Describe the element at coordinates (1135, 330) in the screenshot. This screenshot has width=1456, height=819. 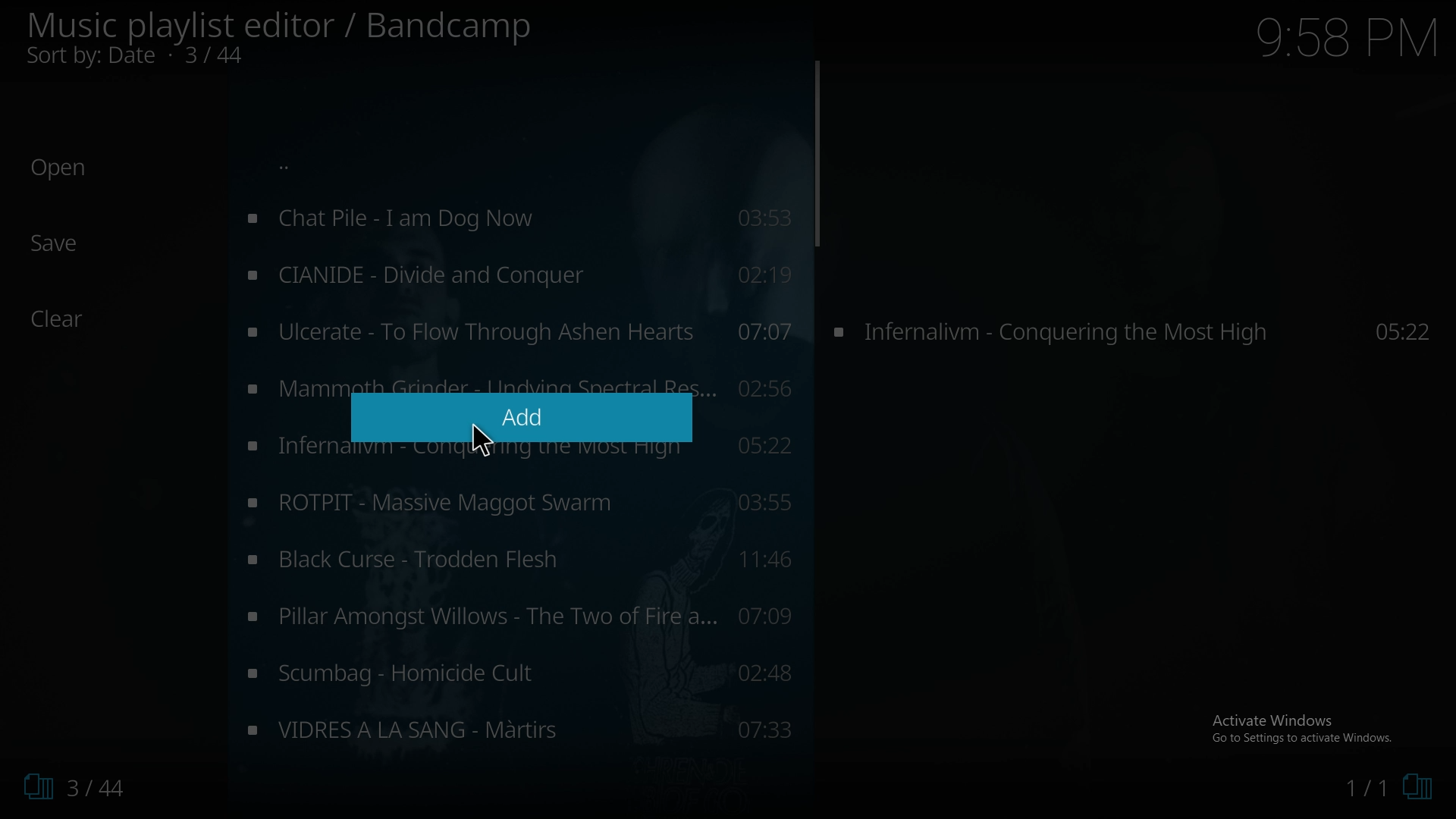
I see `Infernalivm - Conquering the Most High 05:22` at that location.